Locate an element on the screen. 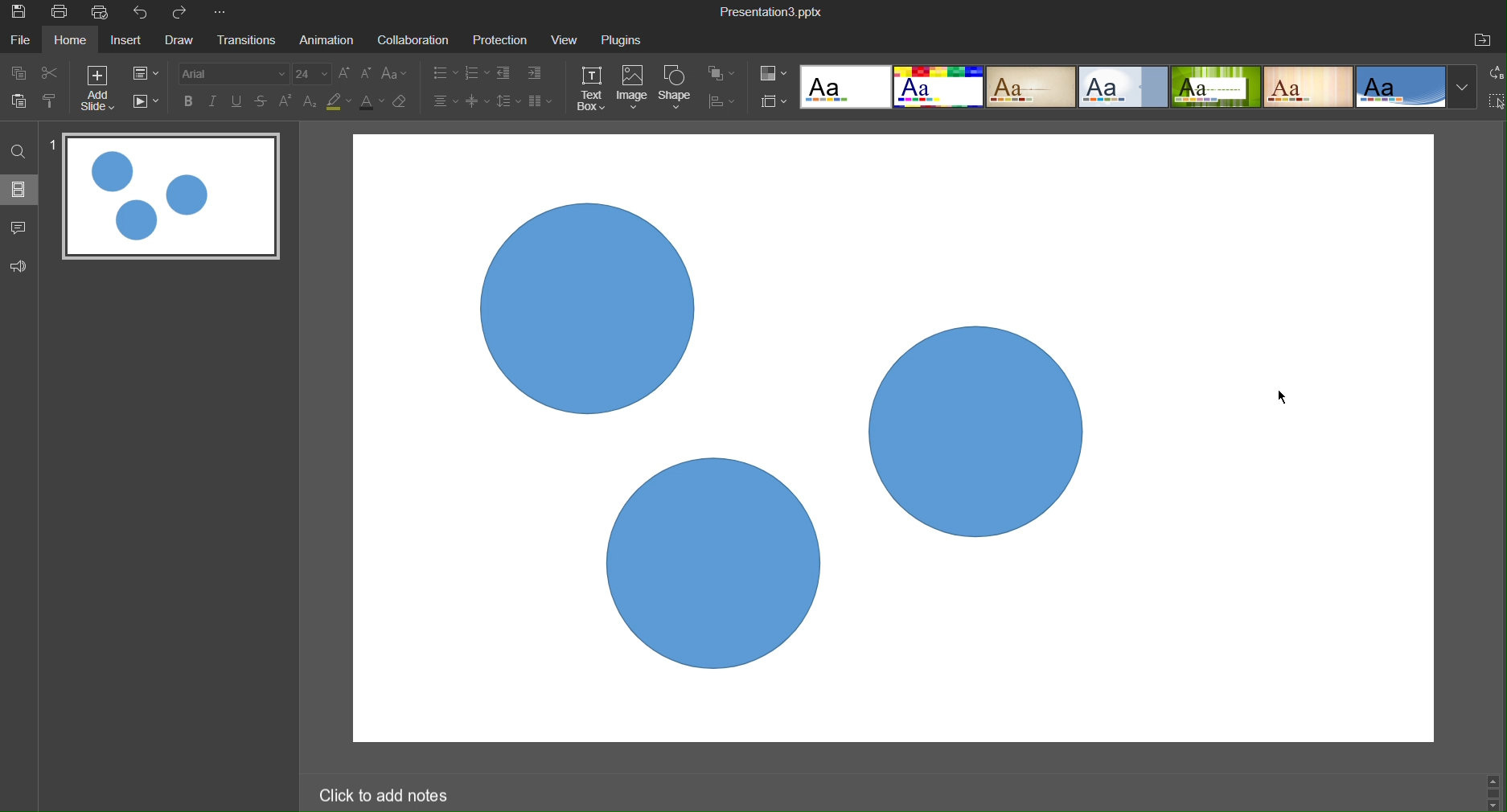 This screenshot has width=1507, height=812. Comment is located at coordinates (18, 228).